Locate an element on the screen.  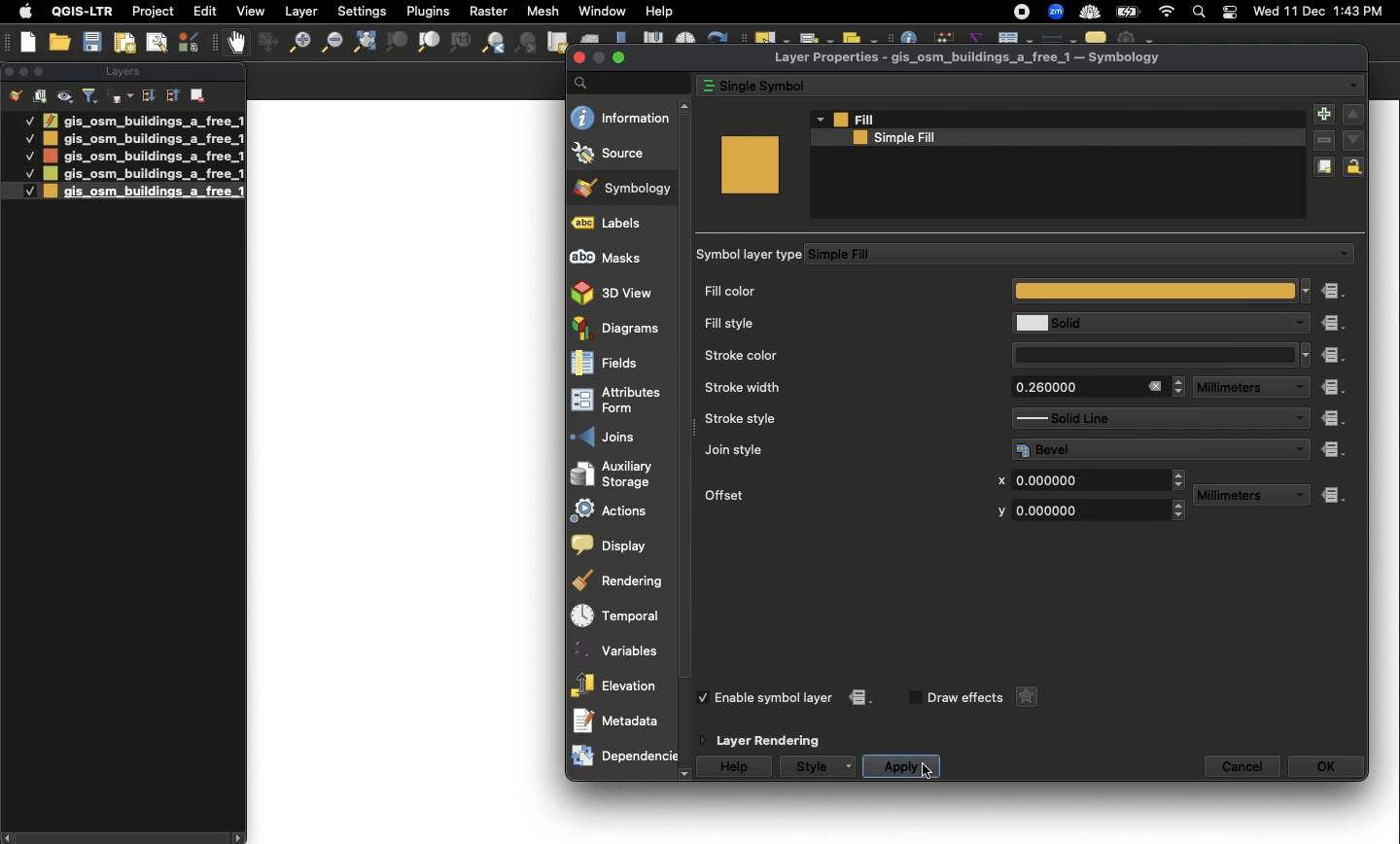
Offset is located at coordinates (831, 493).